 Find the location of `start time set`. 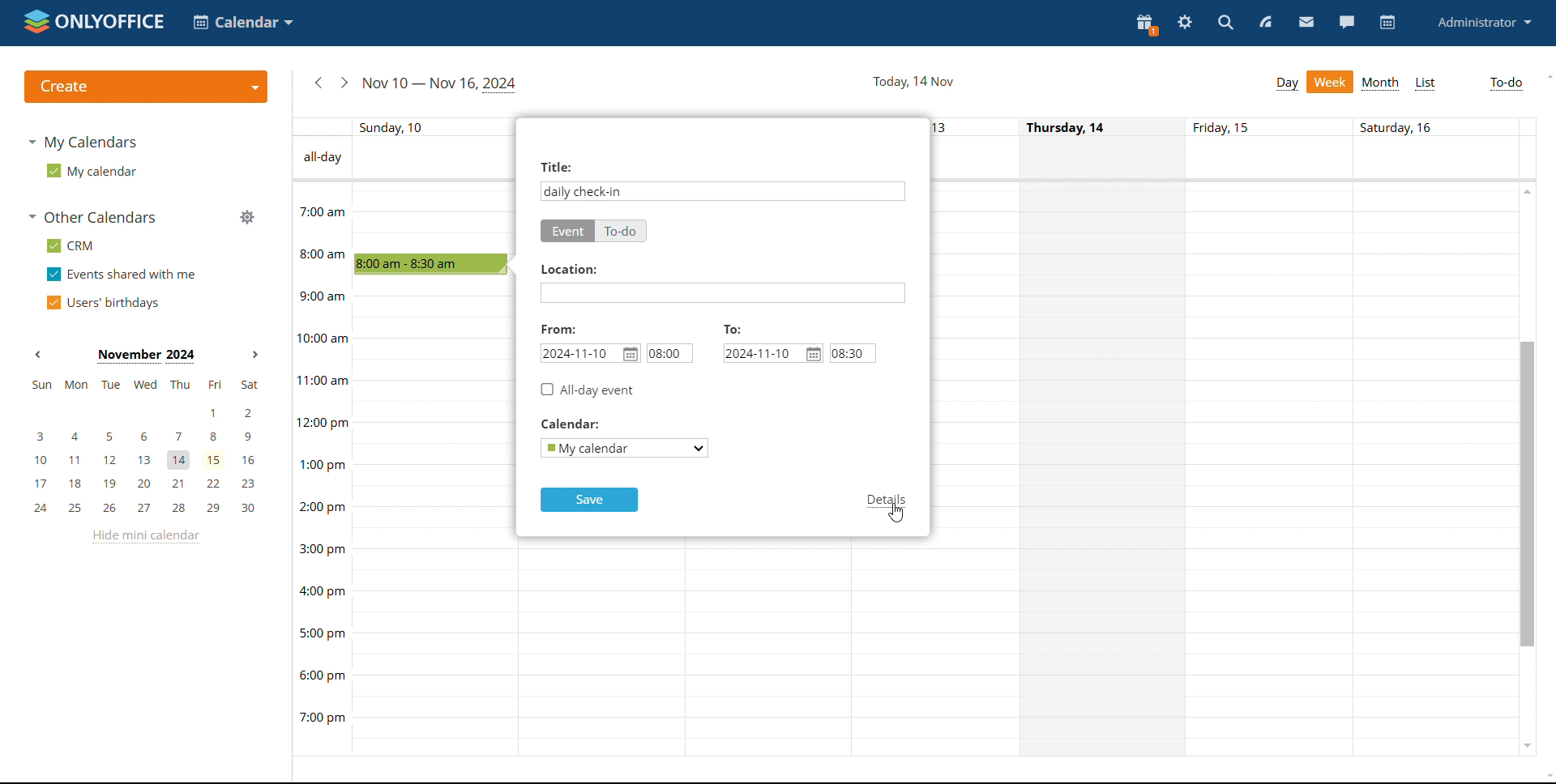

start time set is located at coordinates (669, 354).